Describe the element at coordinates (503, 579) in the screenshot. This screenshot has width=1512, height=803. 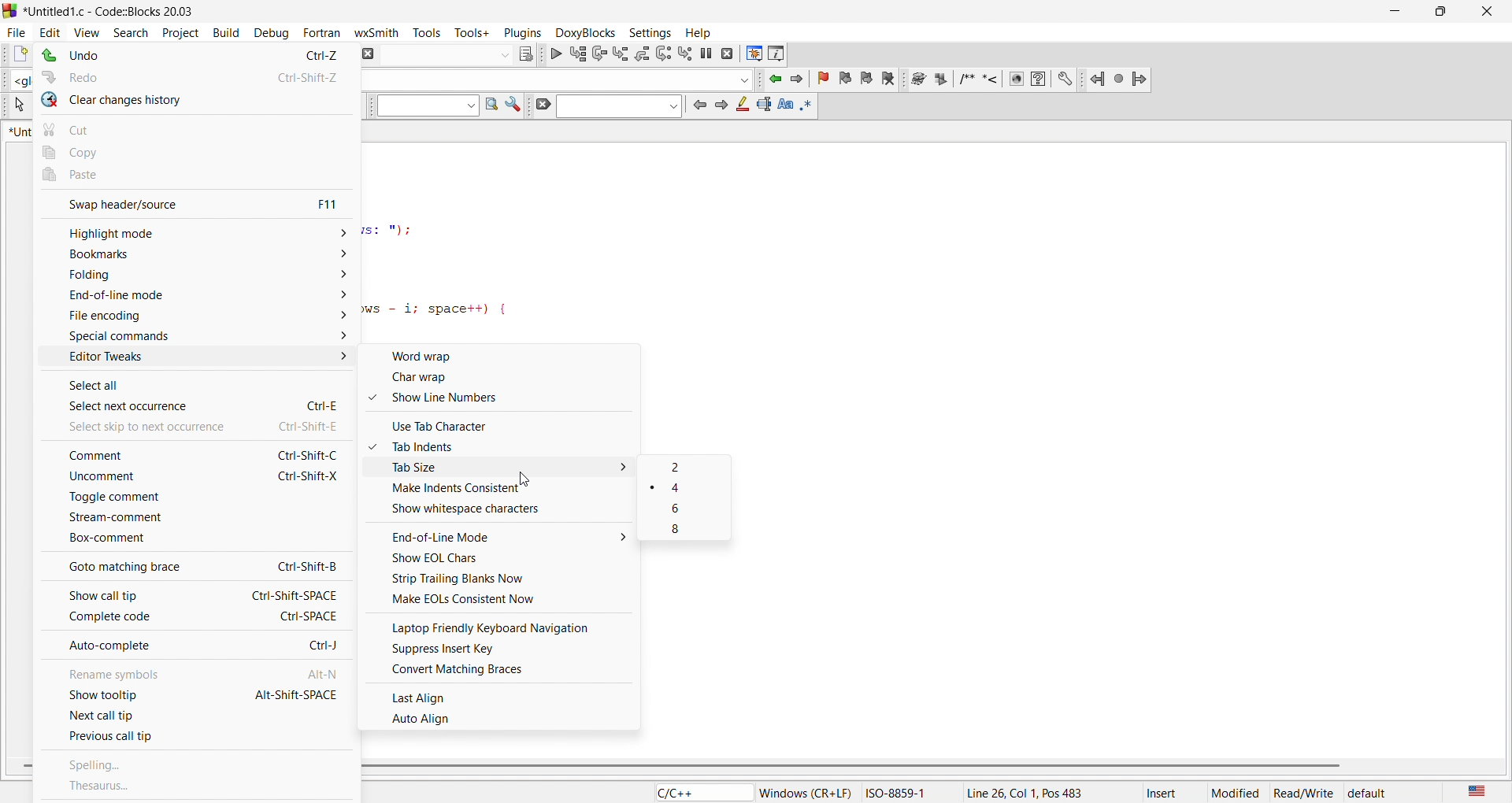
I see `strip trailing blanks now` at that location.